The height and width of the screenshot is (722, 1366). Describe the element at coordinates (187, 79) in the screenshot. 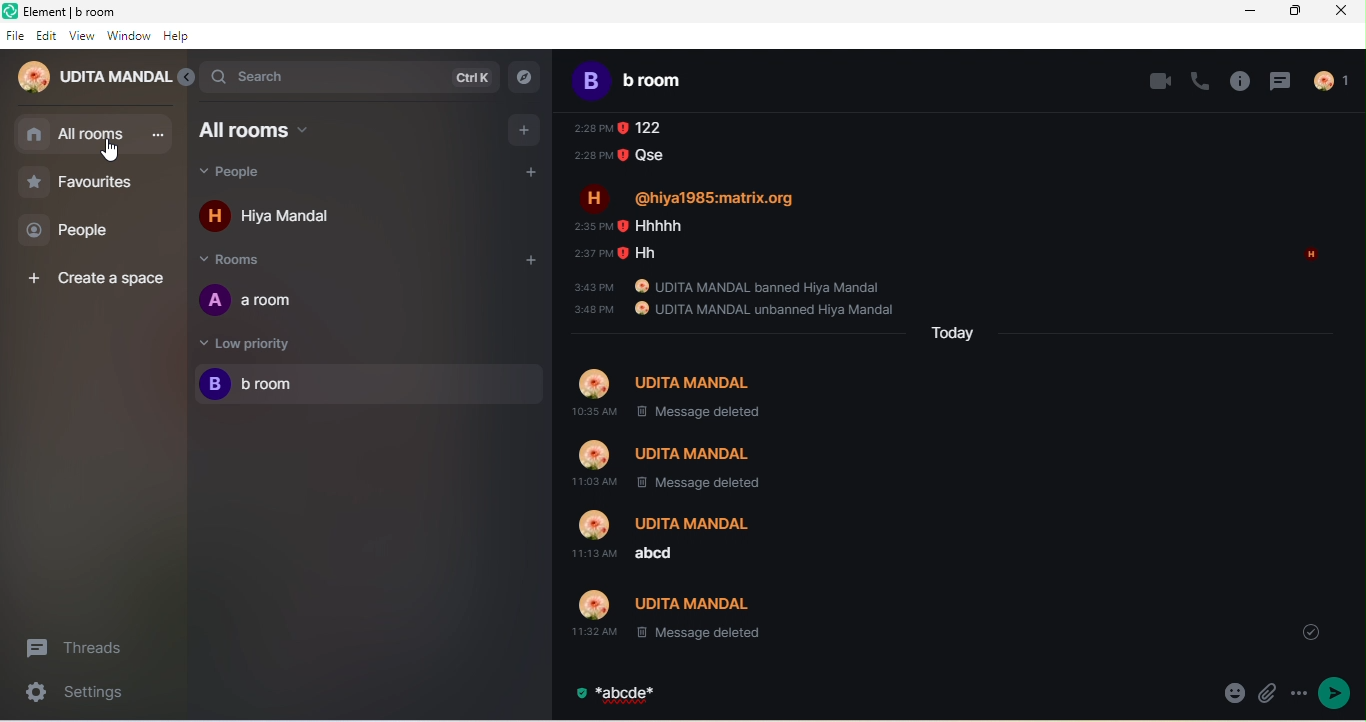

I see `expand` at that location.